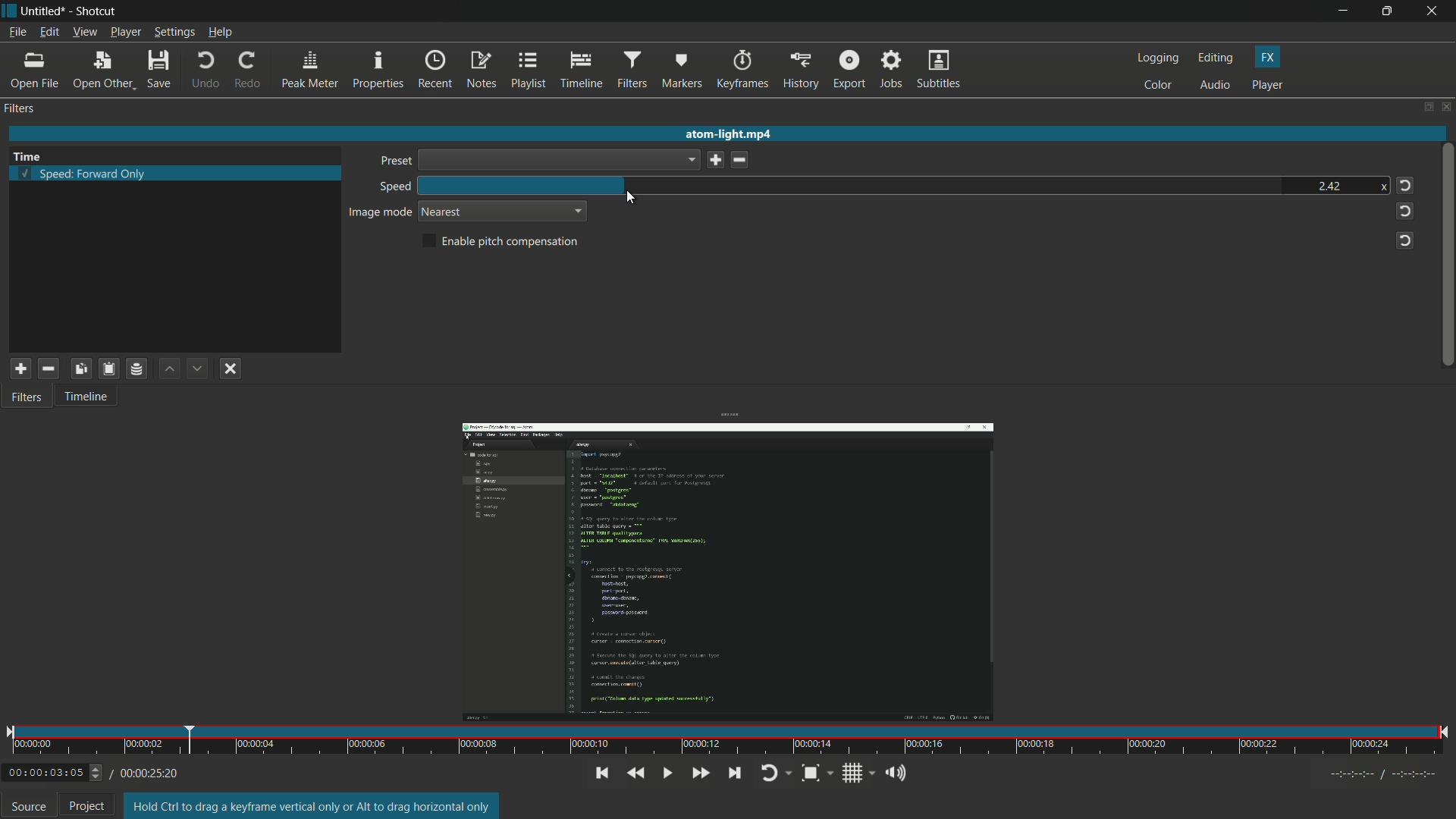 The image size is (1456, 819). What do you see at coordinates (800, 71) in the screenshot?
I see `history` at bounding box center [800, 71].